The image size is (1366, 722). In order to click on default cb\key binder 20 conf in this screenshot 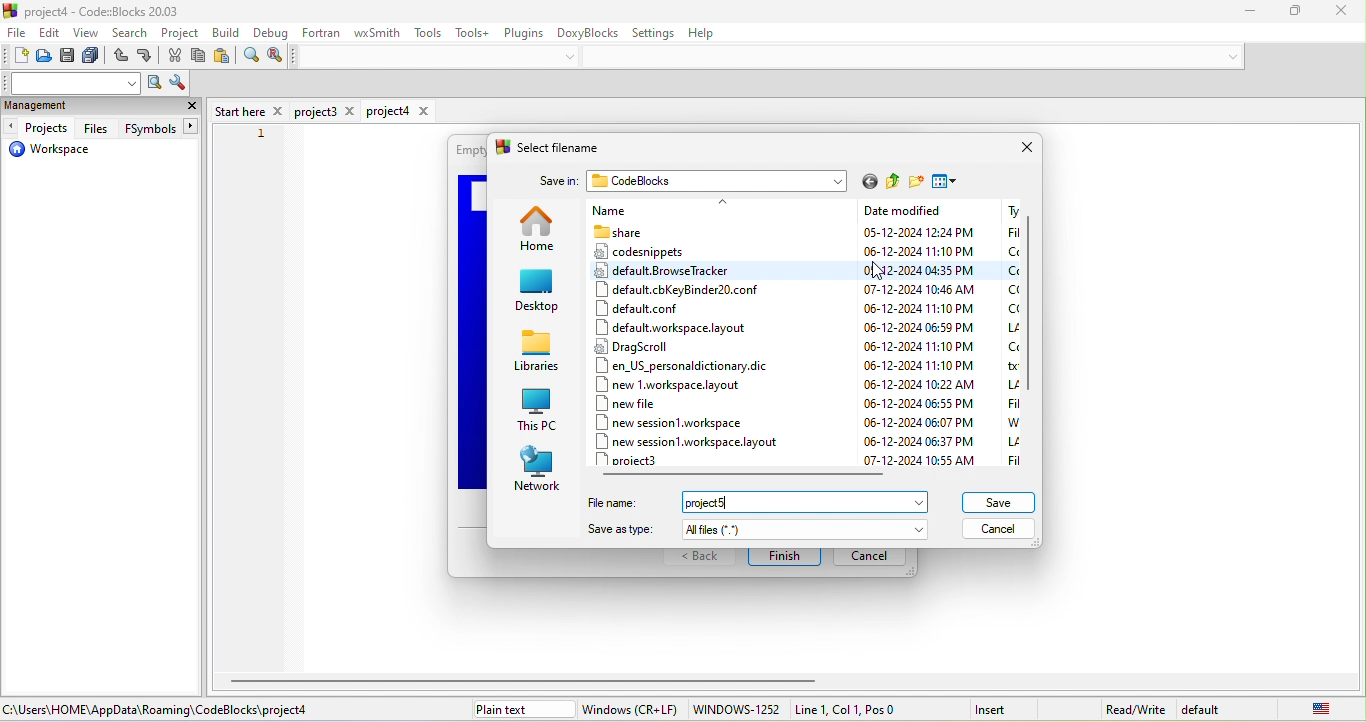, I will do `click(678, 290)`.